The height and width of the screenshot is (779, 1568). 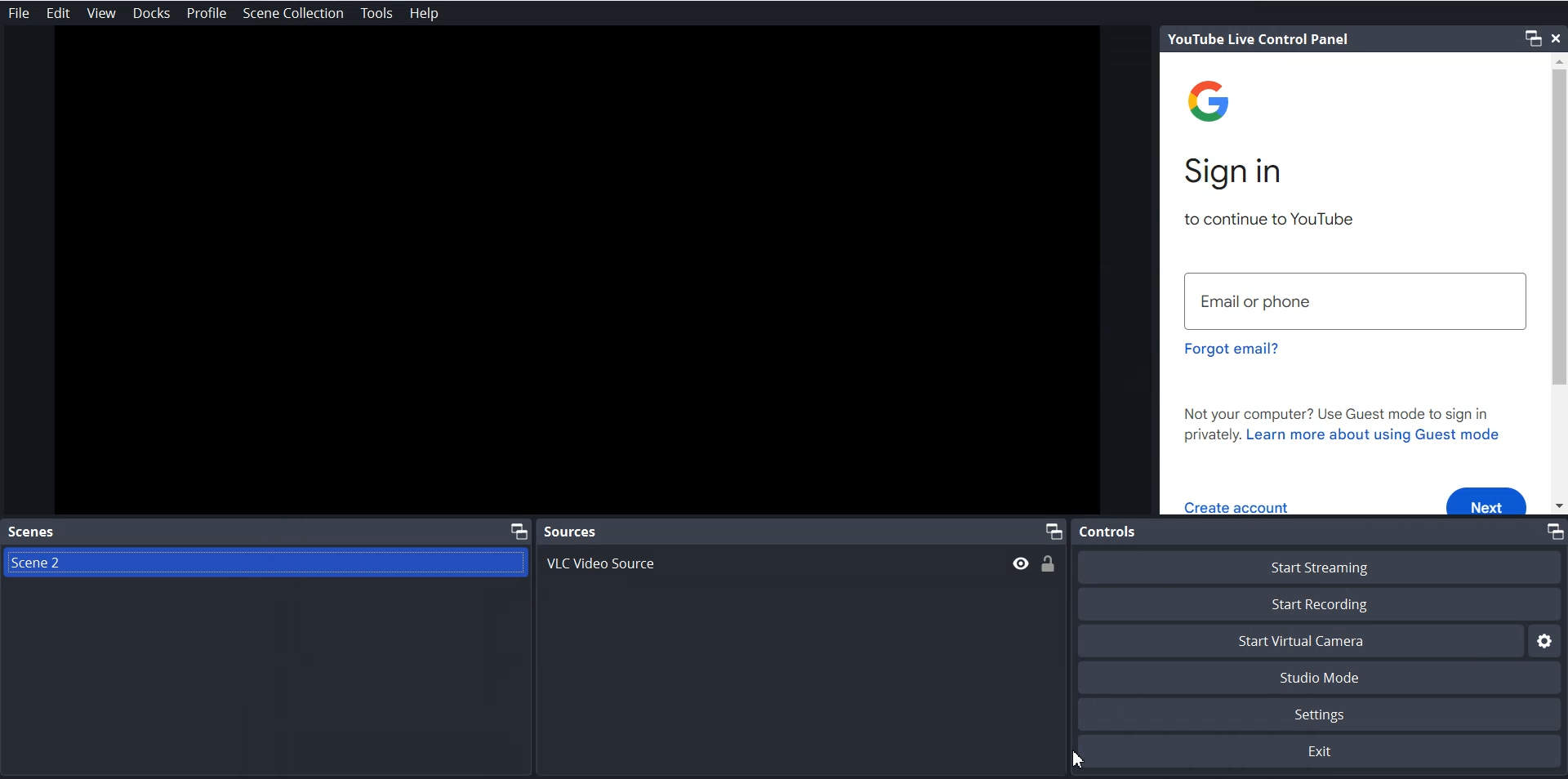 I want to click on VLC Video Source, so click(x=800, y=563).